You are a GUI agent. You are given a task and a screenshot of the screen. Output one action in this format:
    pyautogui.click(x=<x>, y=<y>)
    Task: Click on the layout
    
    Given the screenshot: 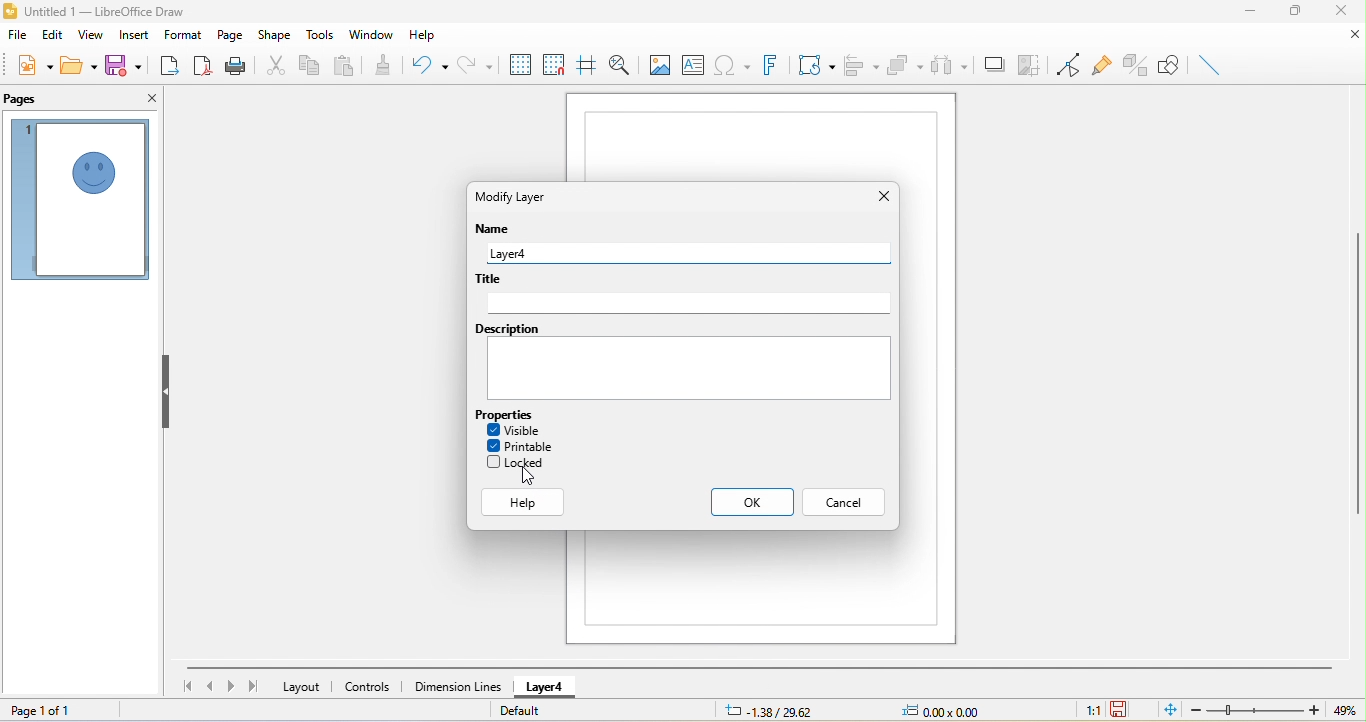 What is the action you would take?
    pyautogui.click(x=302, y=688)
    